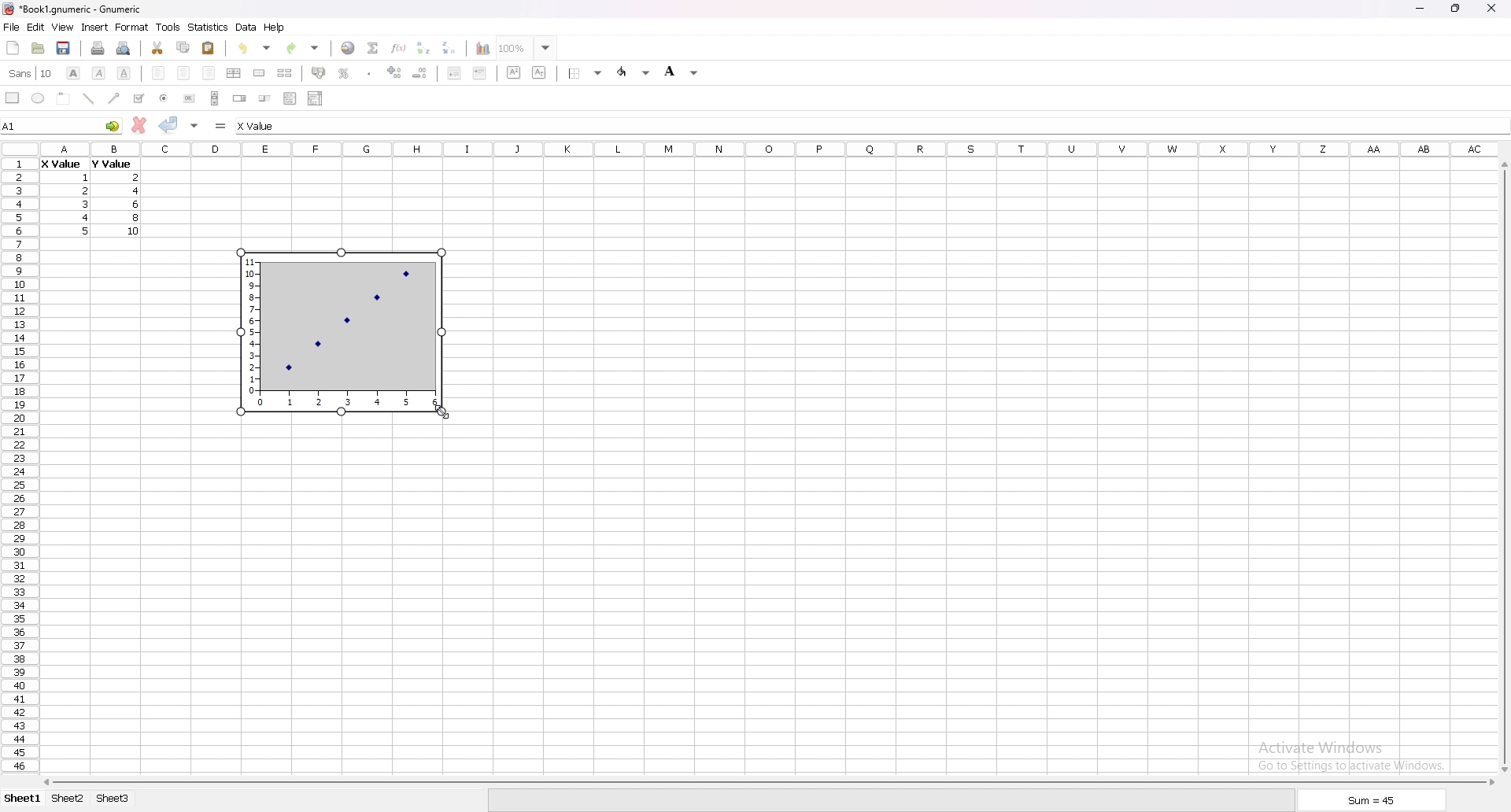 This screenshot has width=1511, height=812. What do you see at coordinates (480, 72) in the screenshot?
I see `increase indent` at bounding box center [480, 72].